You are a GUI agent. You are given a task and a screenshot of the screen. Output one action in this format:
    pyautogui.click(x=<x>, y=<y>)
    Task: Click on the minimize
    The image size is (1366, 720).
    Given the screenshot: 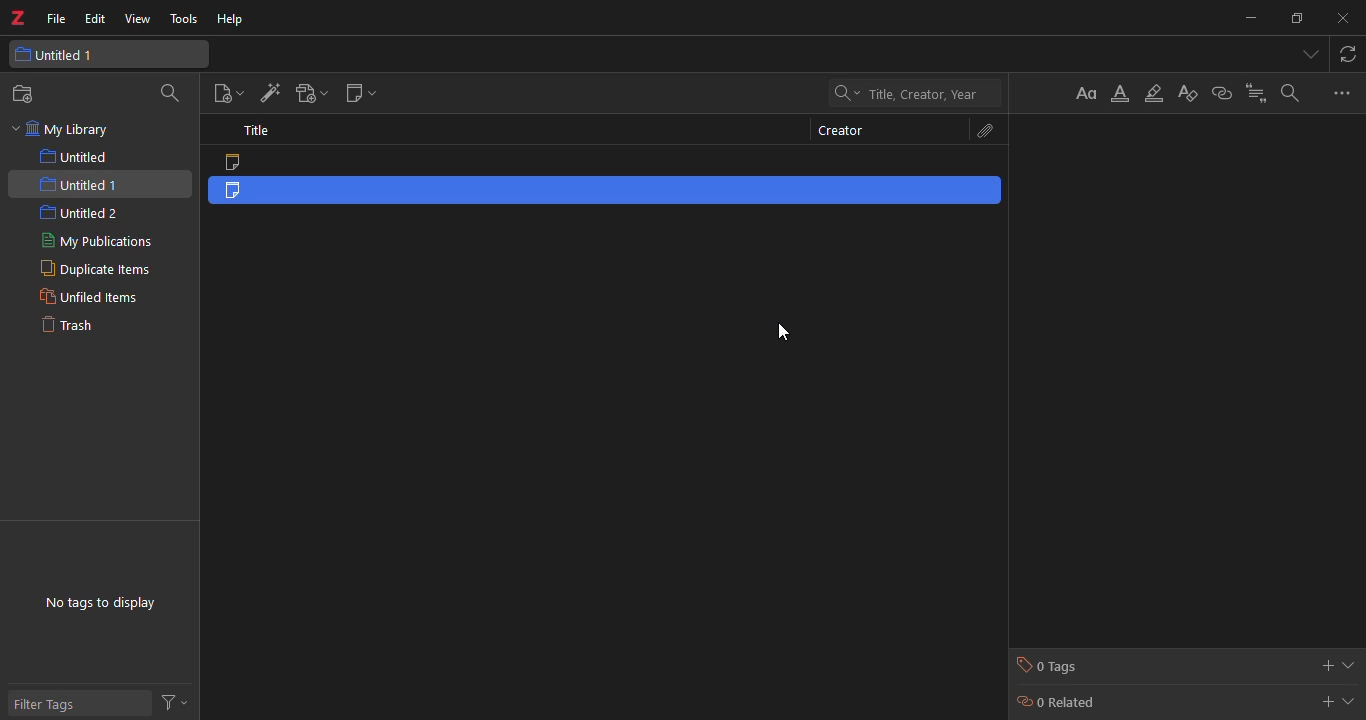 What is the action you would take?
    pyautogui.click(x=1243, y=20)
    